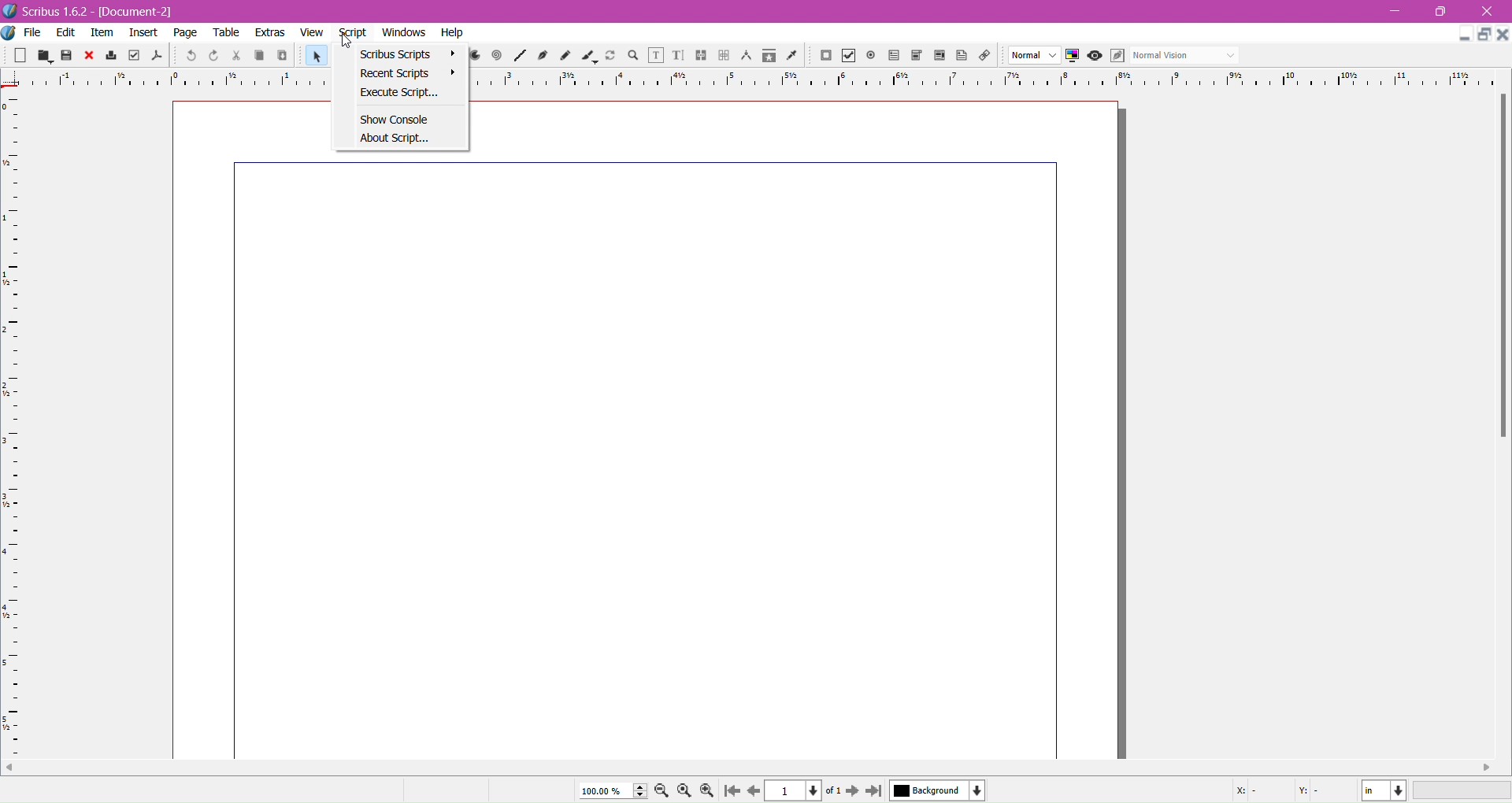 The height and width of the screenshot is (803, 1512). I want to click on Vertical Scroll Bar, so click(1499, 268).